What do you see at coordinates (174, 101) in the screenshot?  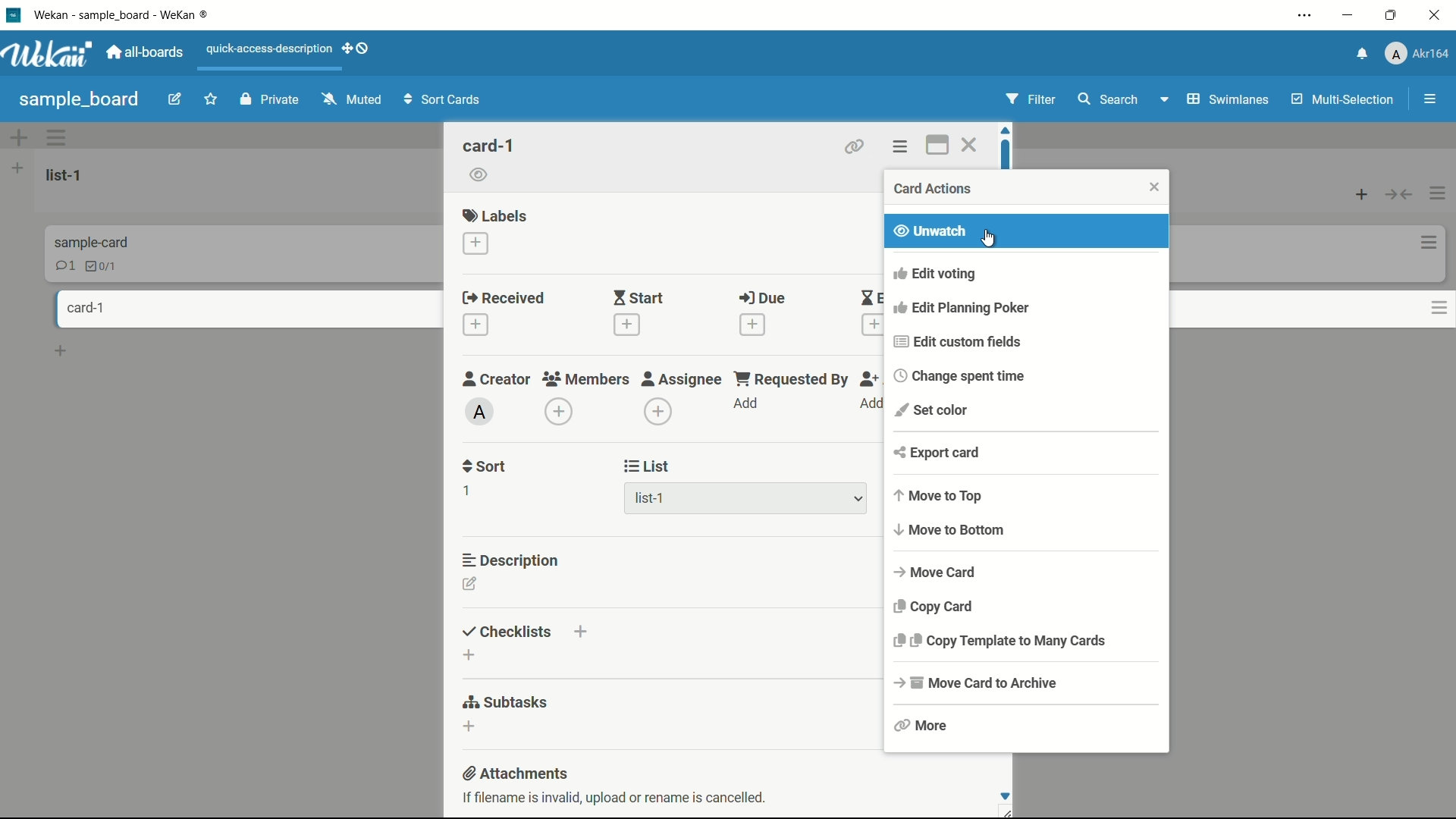 I see `edit` at bounding box center [174, 101].